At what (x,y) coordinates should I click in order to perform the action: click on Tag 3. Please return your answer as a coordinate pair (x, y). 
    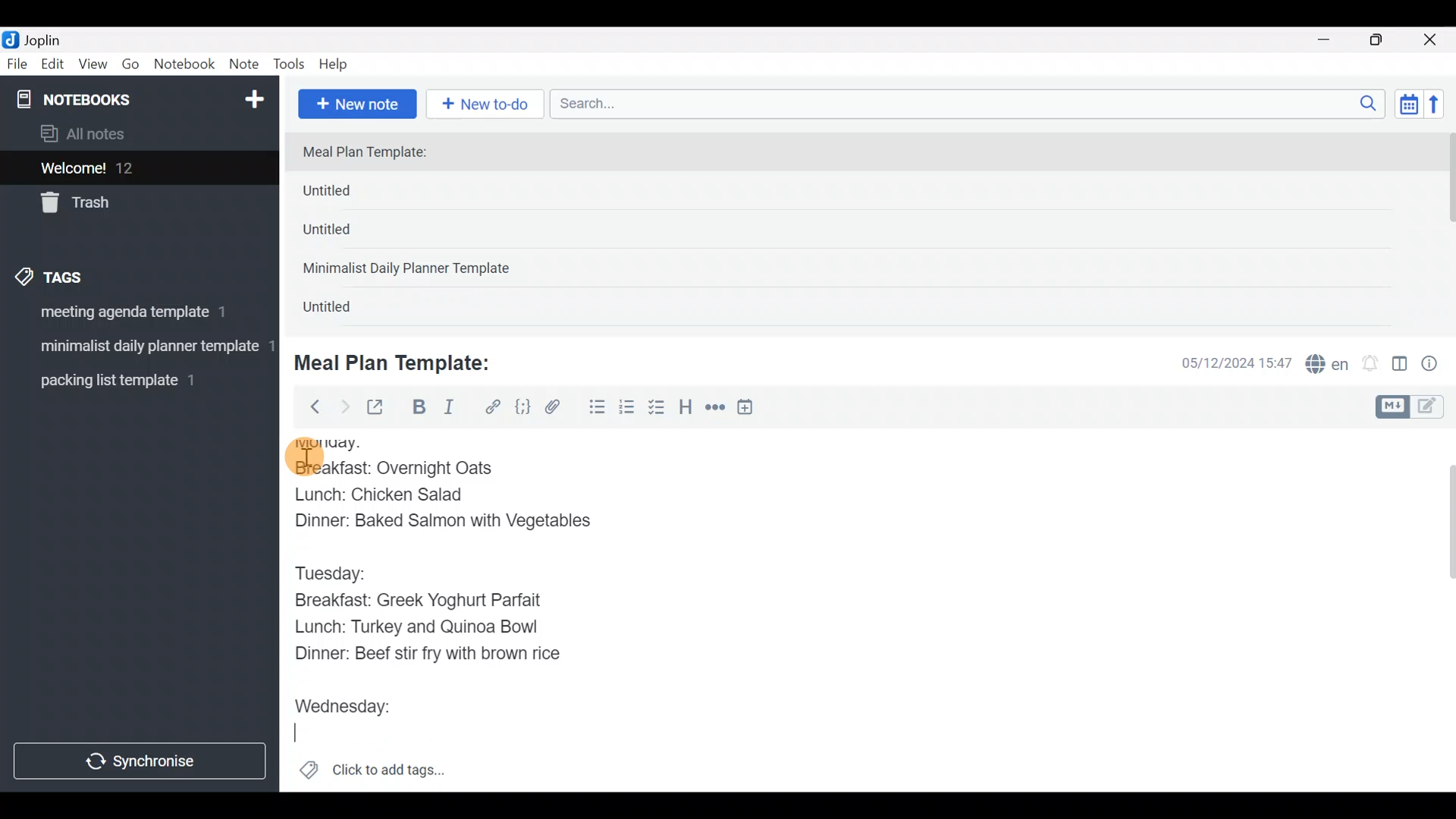
    Looking at the image, I should click on (134, 380).